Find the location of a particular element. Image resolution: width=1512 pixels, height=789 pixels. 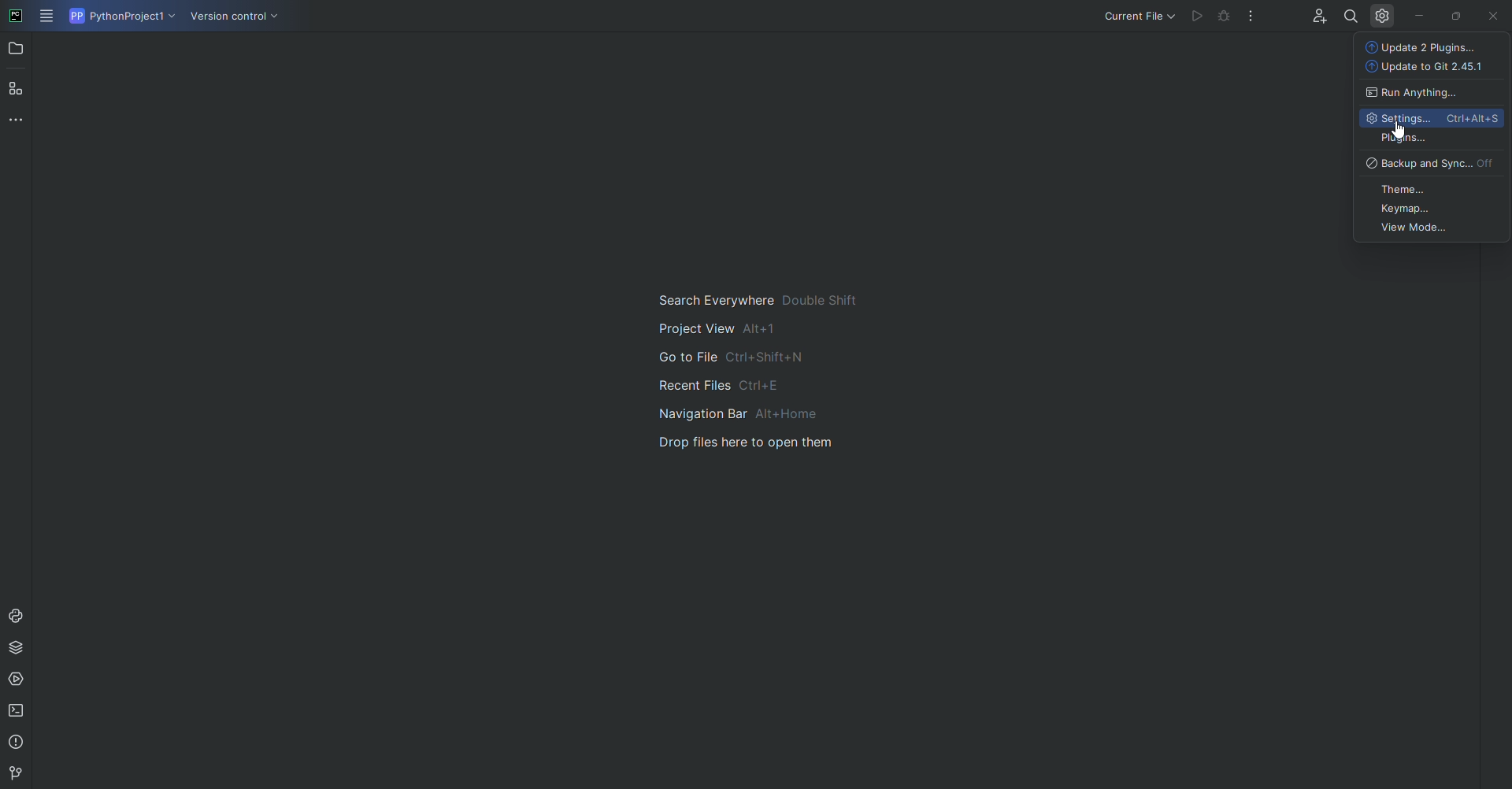

View Mode is located at coordinates (1429, 232).